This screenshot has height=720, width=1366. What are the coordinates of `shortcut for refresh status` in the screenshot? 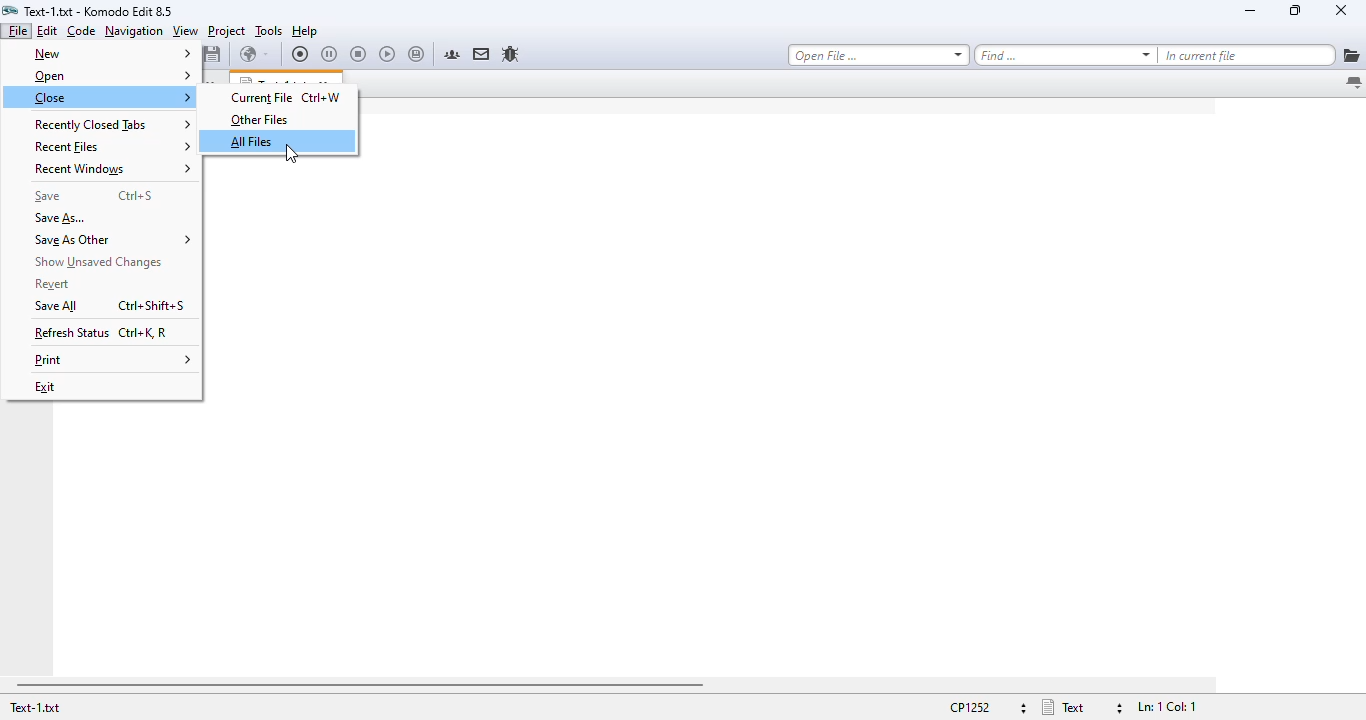 It's located at (143, 333).